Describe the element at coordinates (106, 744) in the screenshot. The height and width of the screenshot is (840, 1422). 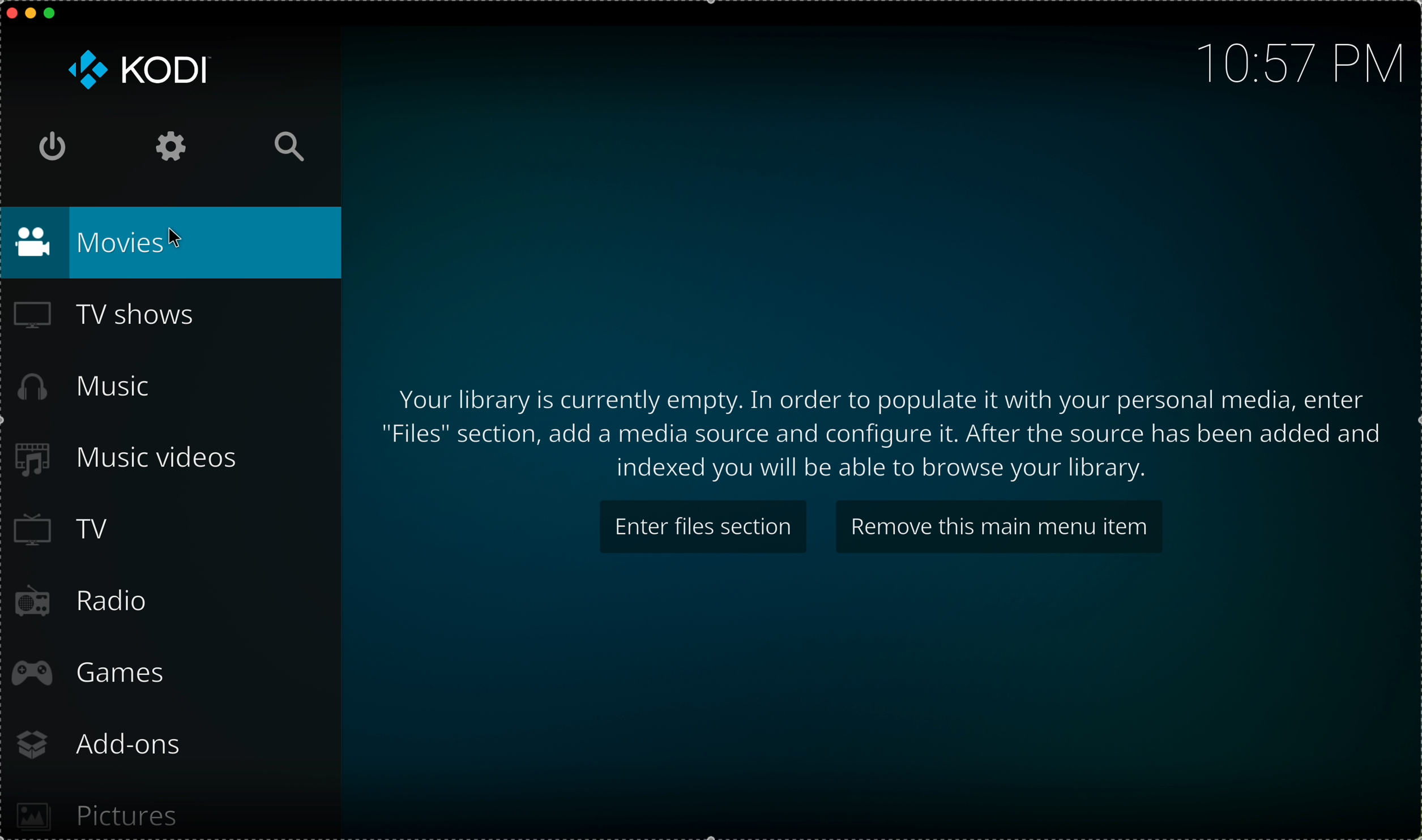
I see `add-ons` at that location.